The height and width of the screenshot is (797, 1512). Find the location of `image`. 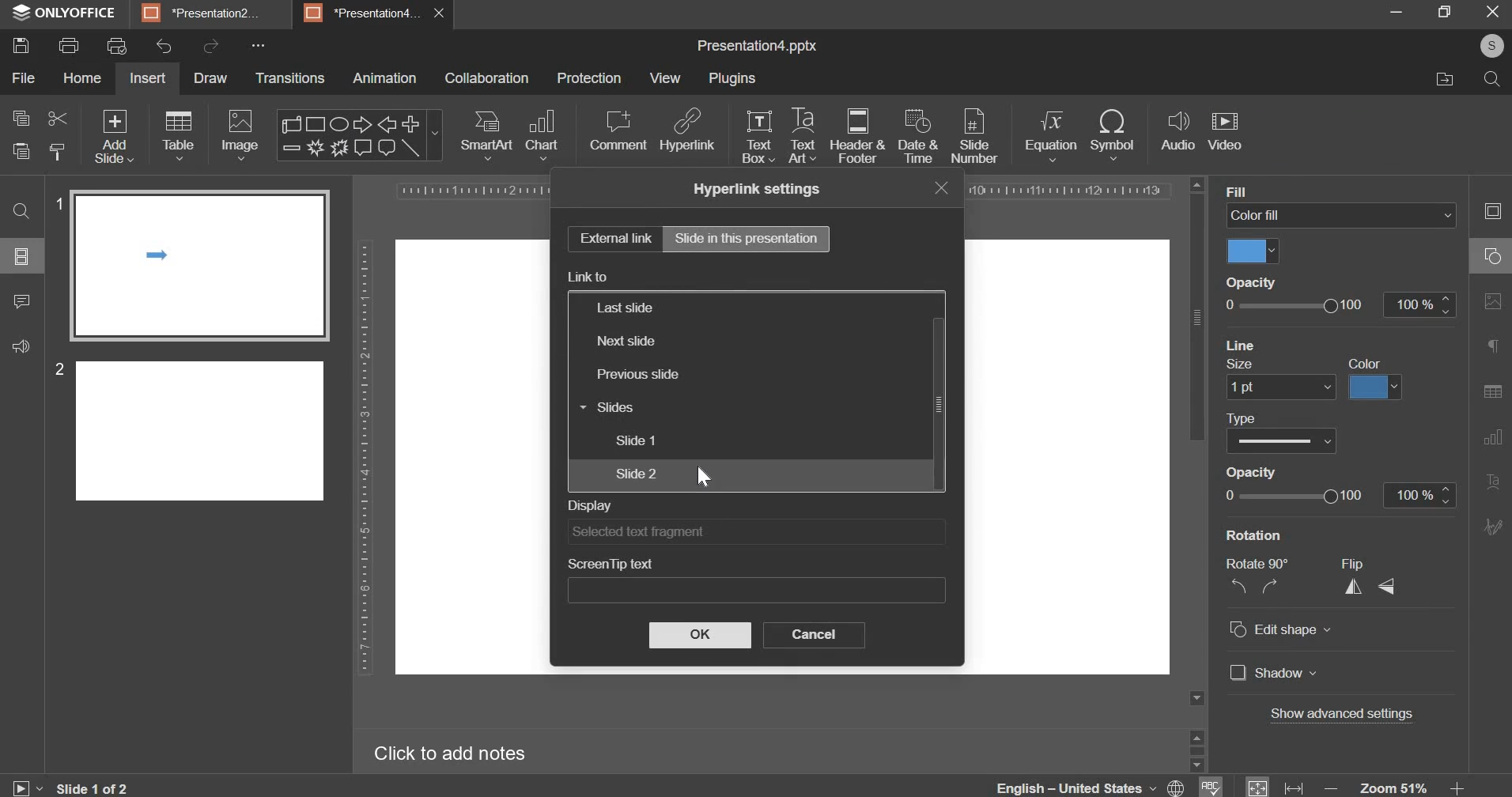

image is located at coordinates (239, 135).